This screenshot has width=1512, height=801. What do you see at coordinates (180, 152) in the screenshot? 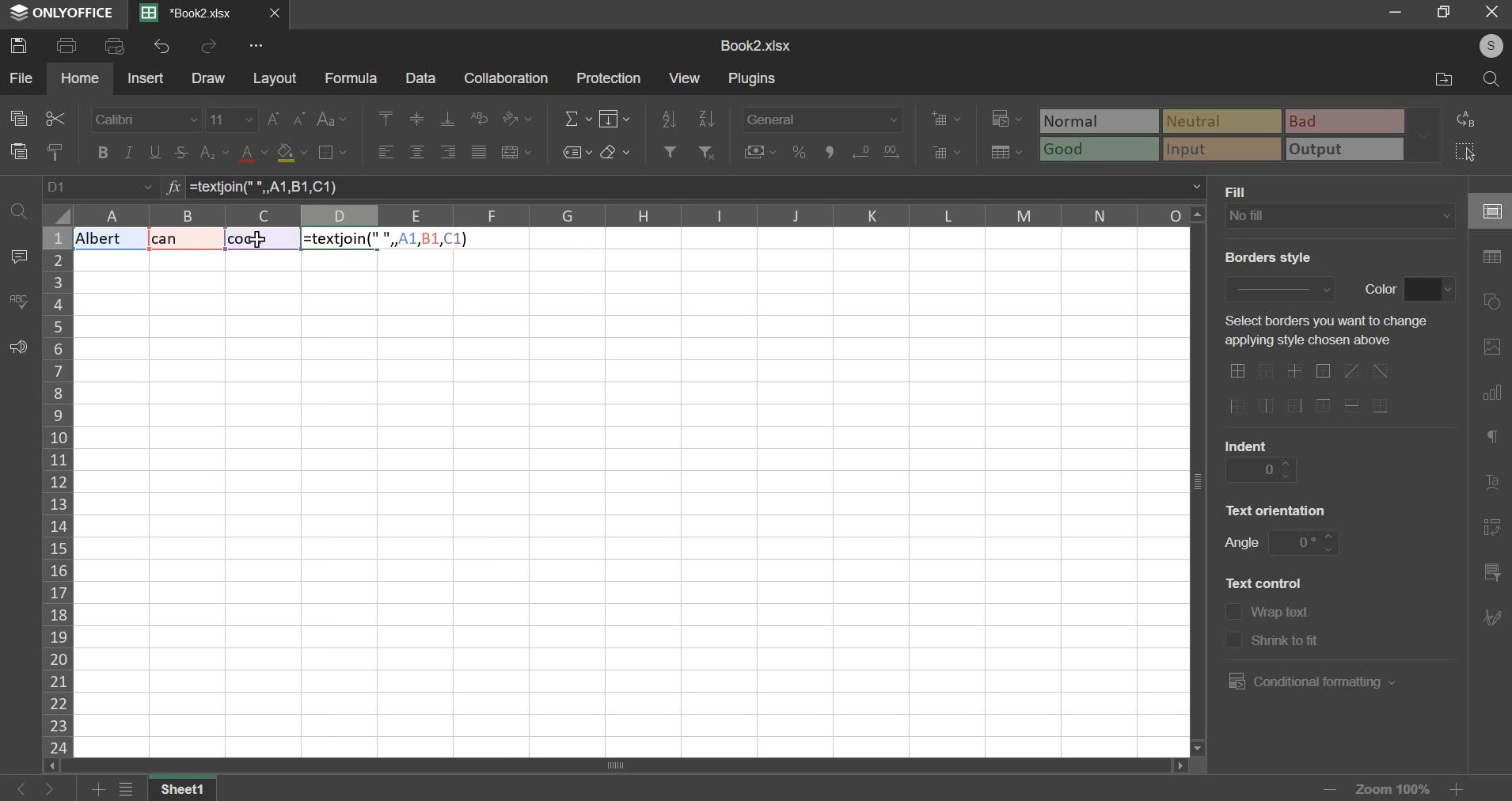
I see `strikethrough` at bounding box center [180, 152].